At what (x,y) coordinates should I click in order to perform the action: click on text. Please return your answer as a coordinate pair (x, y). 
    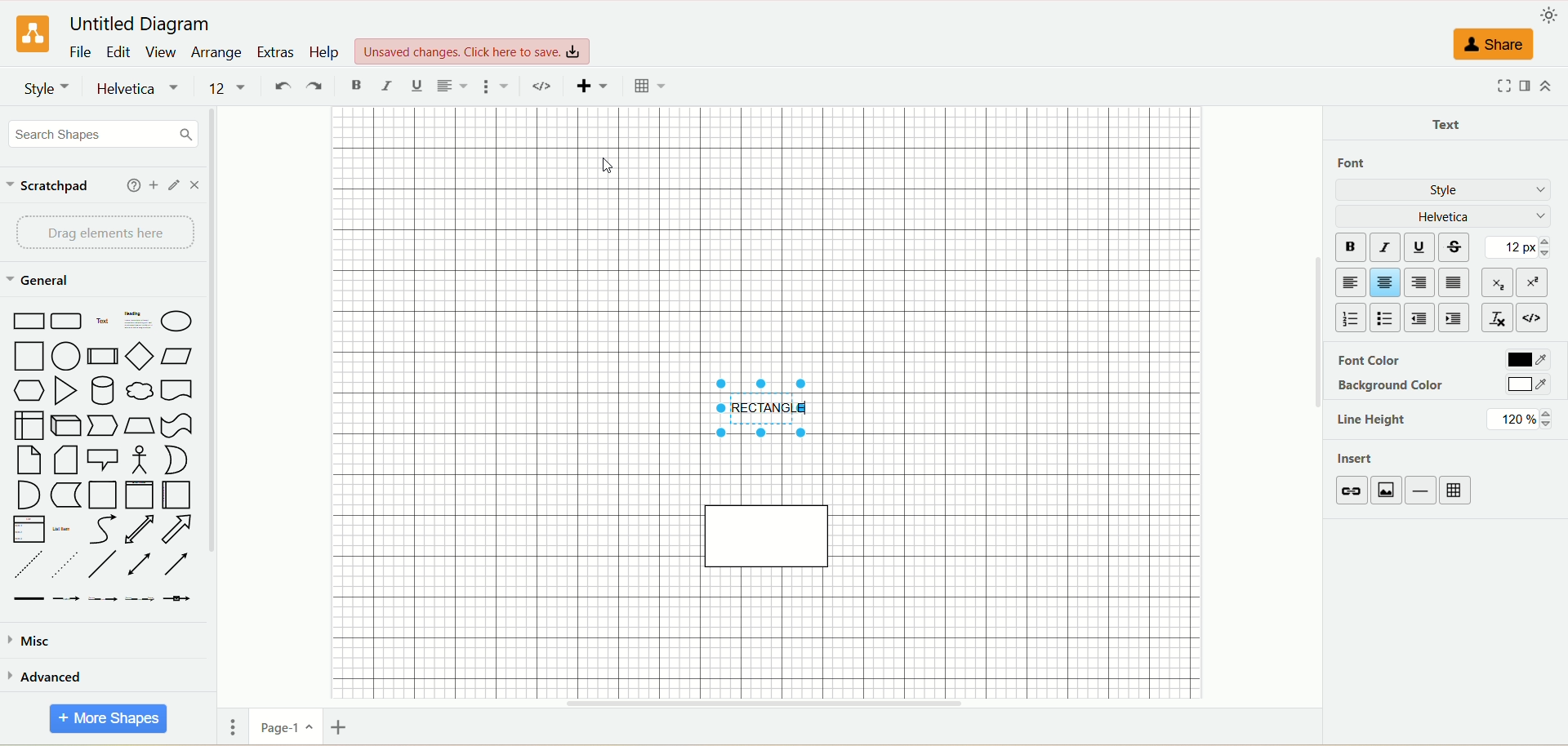
    Looking at the image, I should click on (1451, 123).